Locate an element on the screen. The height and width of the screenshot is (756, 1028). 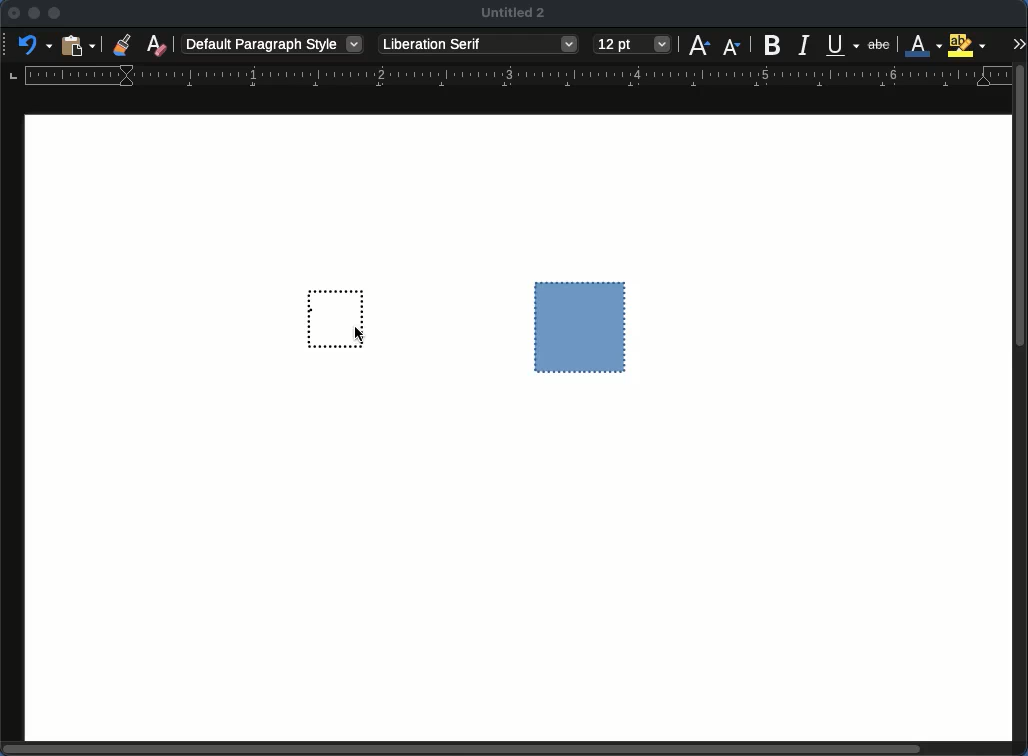
shape is located at coordinates (581, 327).